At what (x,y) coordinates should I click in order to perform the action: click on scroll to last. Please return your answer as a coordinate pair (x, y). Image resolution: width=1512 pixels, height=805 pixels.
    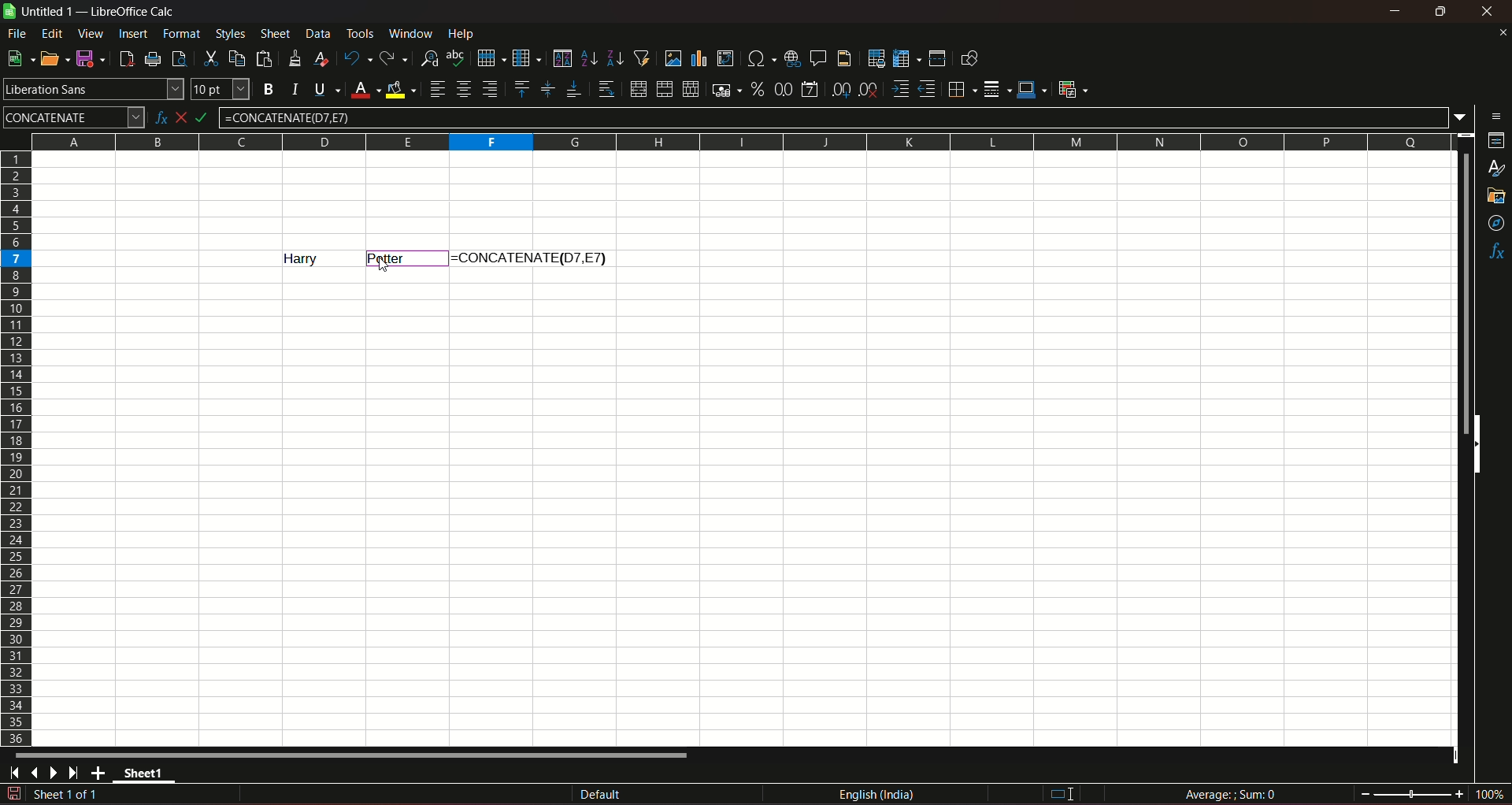
    Looking at the image, I should click on (78, 773).